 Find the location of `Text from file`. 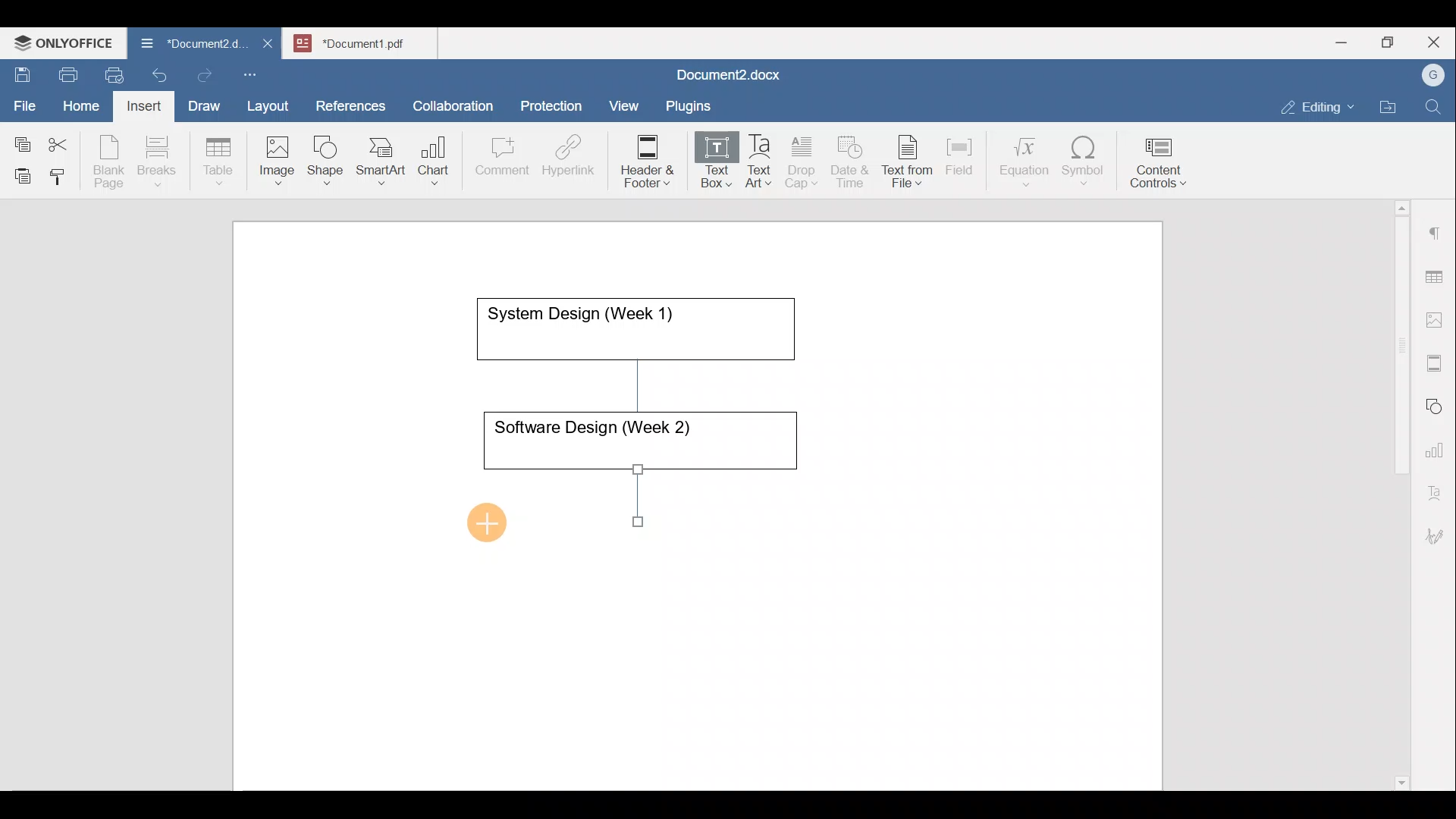

Text from file is located at coordinates (910, 160).